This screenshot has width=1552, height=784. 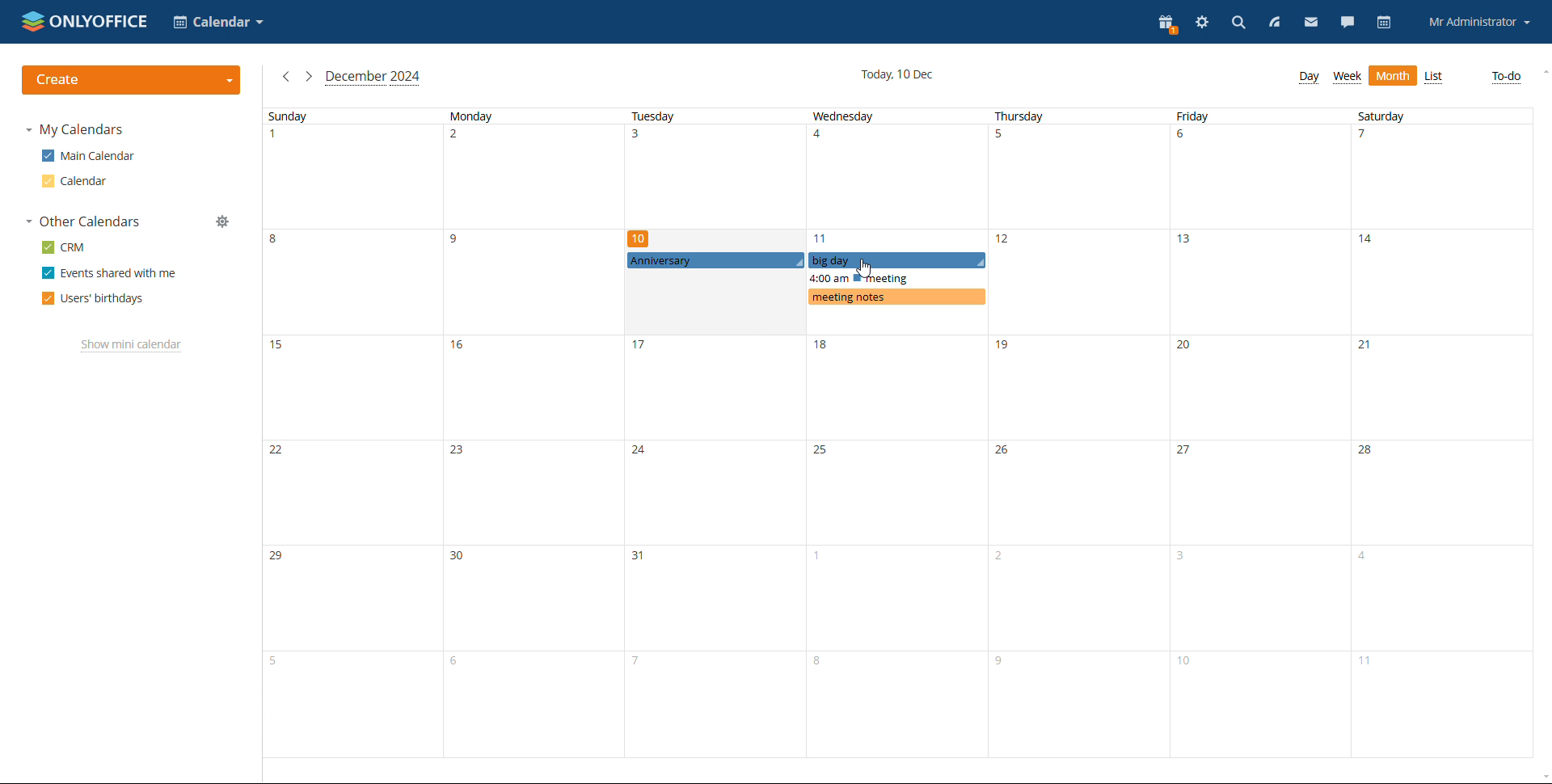 I want to click on scroll up, so click(x=1542, y=71).